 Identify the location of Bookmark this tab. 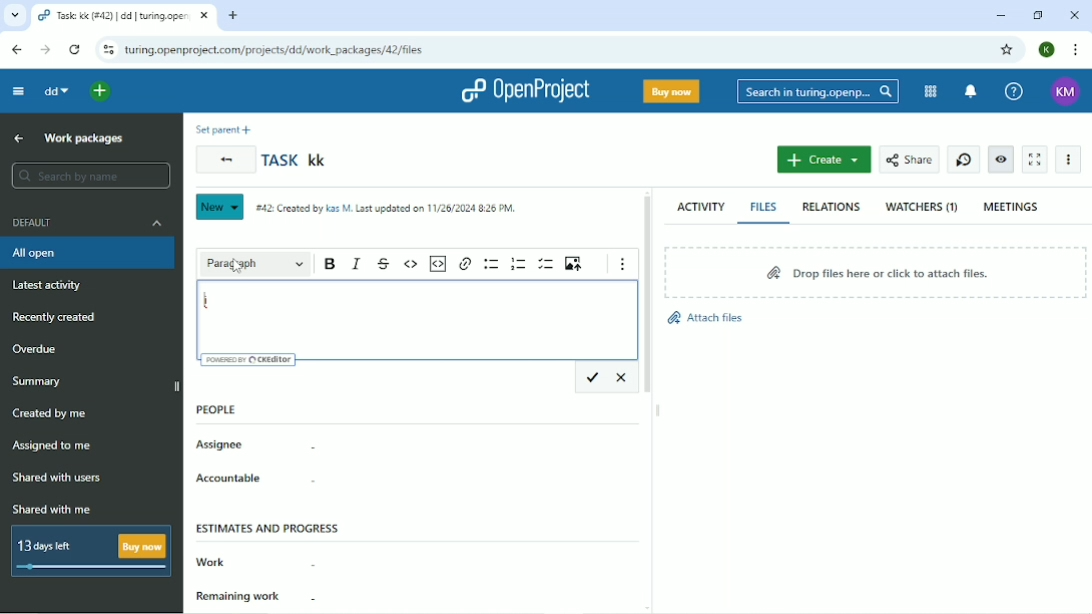
(1007, 50).